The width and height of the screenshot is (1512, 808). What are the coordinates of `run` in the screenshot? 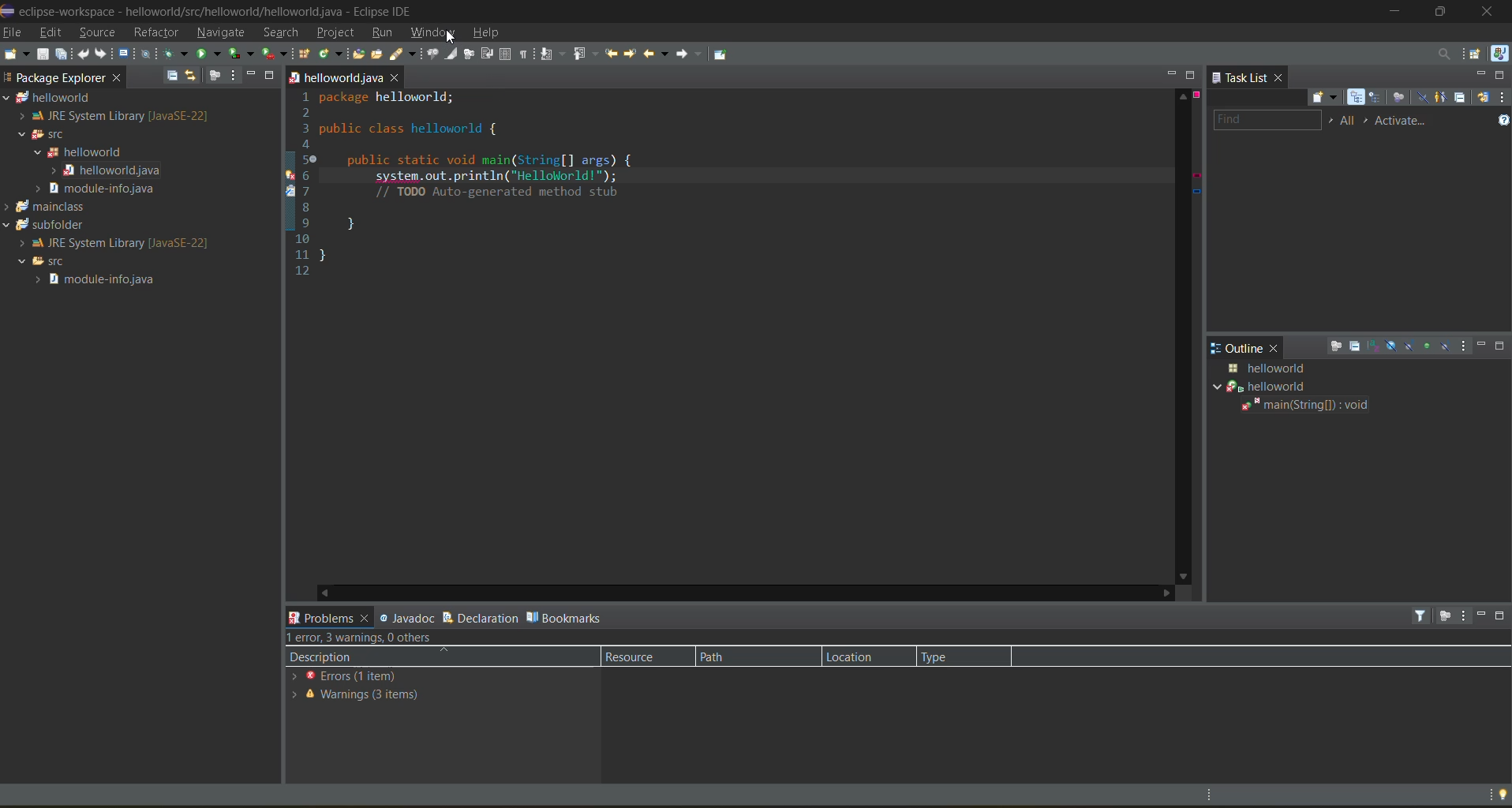 It's located at (384, 33).